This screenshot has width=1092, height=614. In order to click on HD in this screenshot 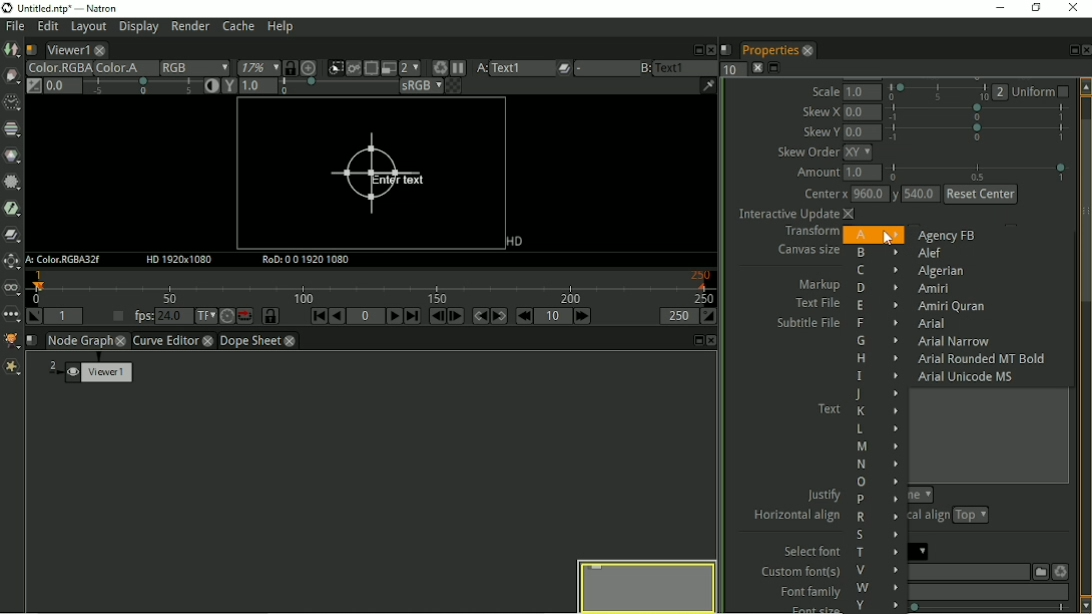, I will do `click(181, 260)`.